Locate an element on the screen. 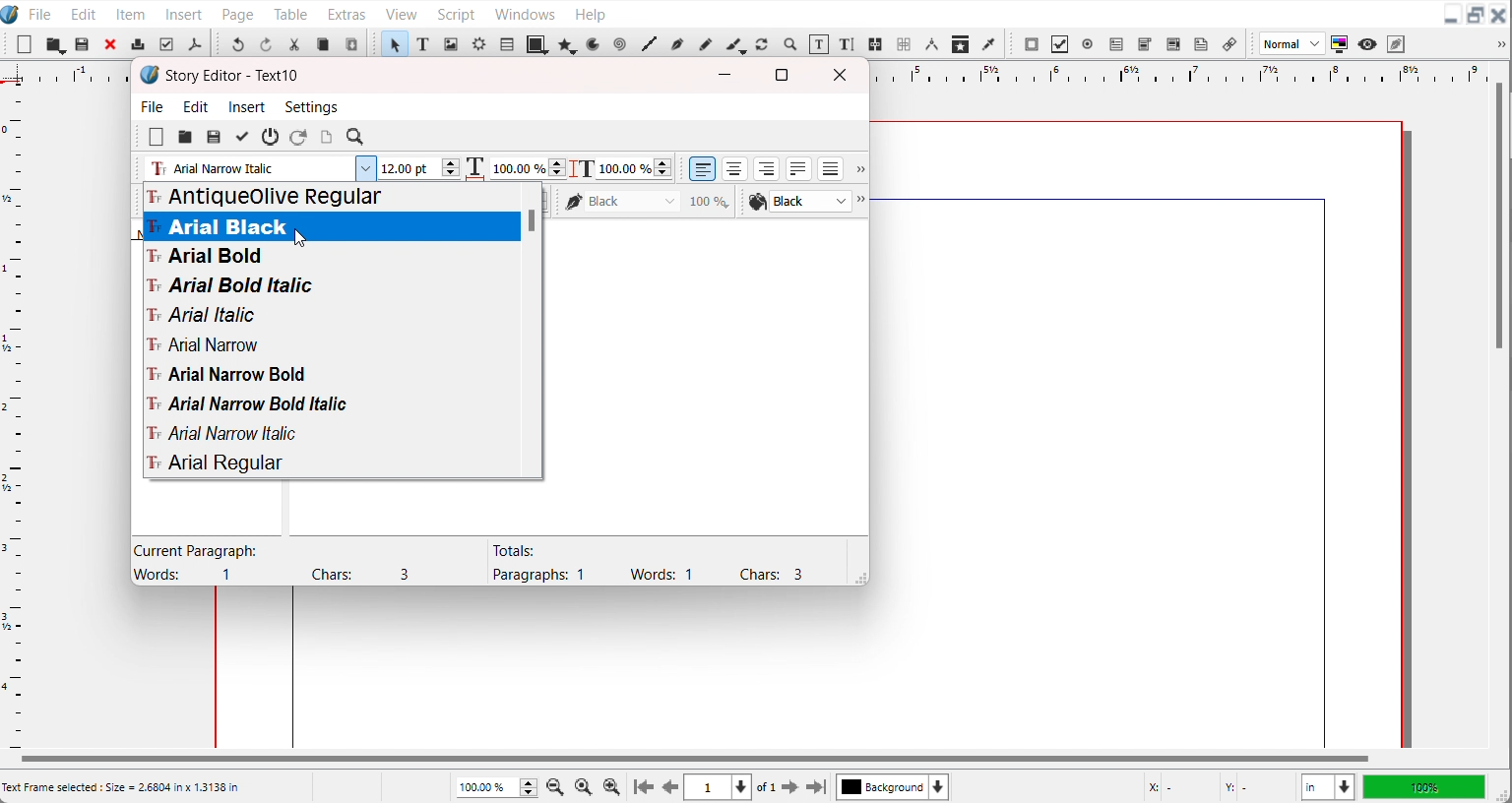 Image resolution: width=1512 pixels, height=803 pixels. Font is located at coordinates (330, 227).